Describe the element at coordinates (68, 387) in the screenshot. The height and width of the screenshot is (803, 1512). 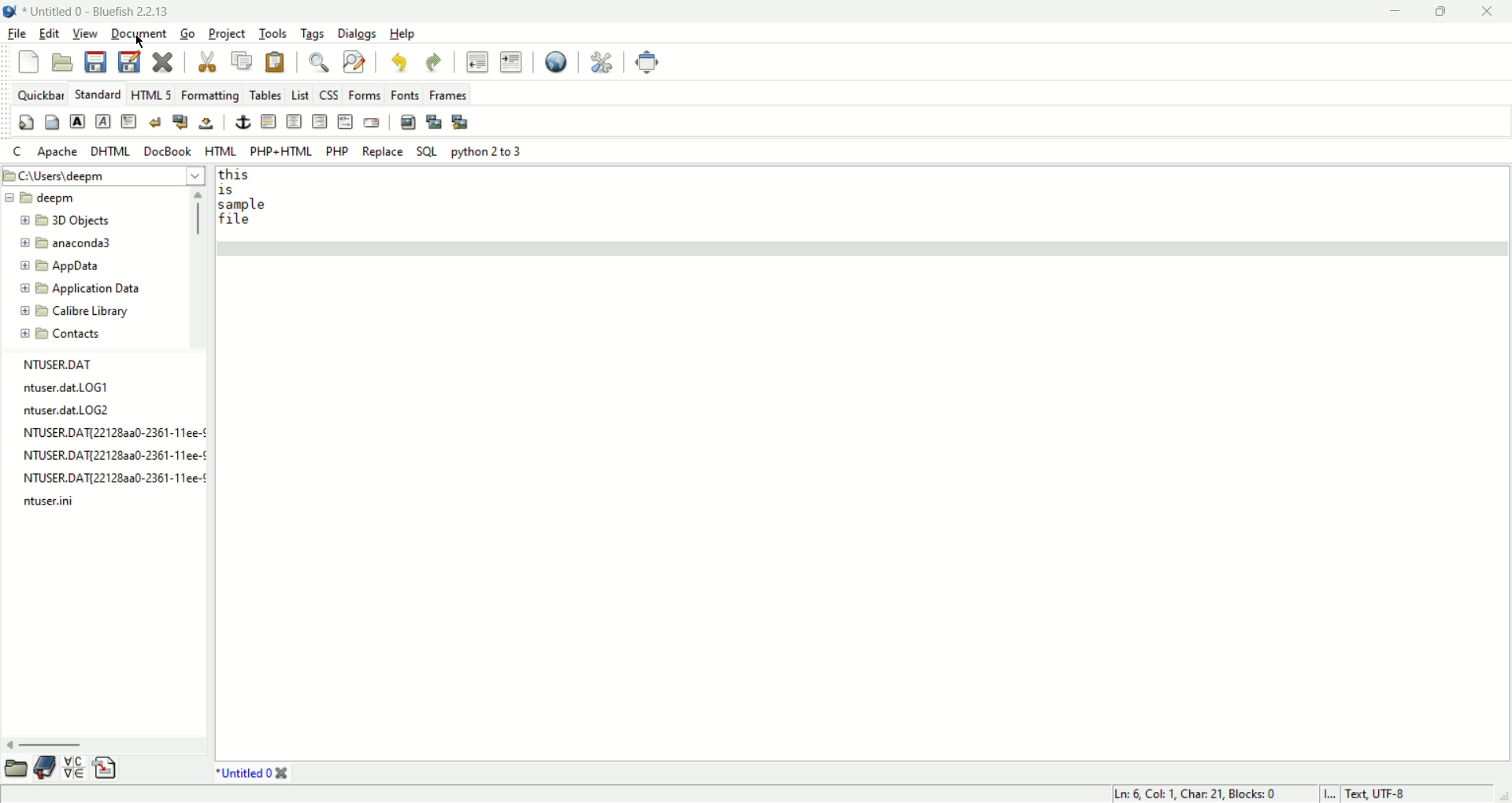
I see `ntuser.dat.LOG1` at that location.